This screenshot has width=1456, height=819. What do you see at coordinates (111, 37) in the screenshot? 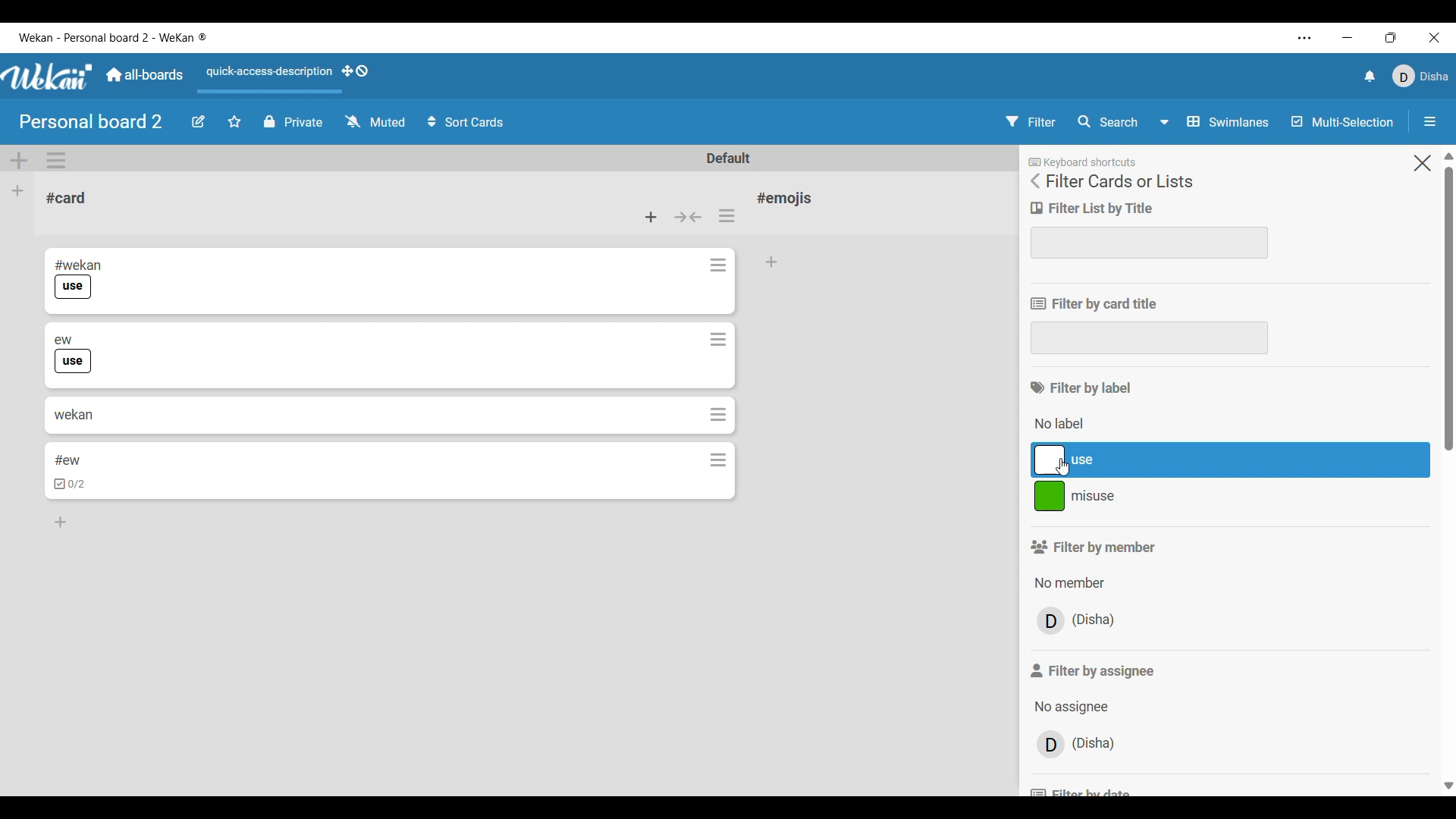
I see `Software and board name` at bounding box center [111, 37].